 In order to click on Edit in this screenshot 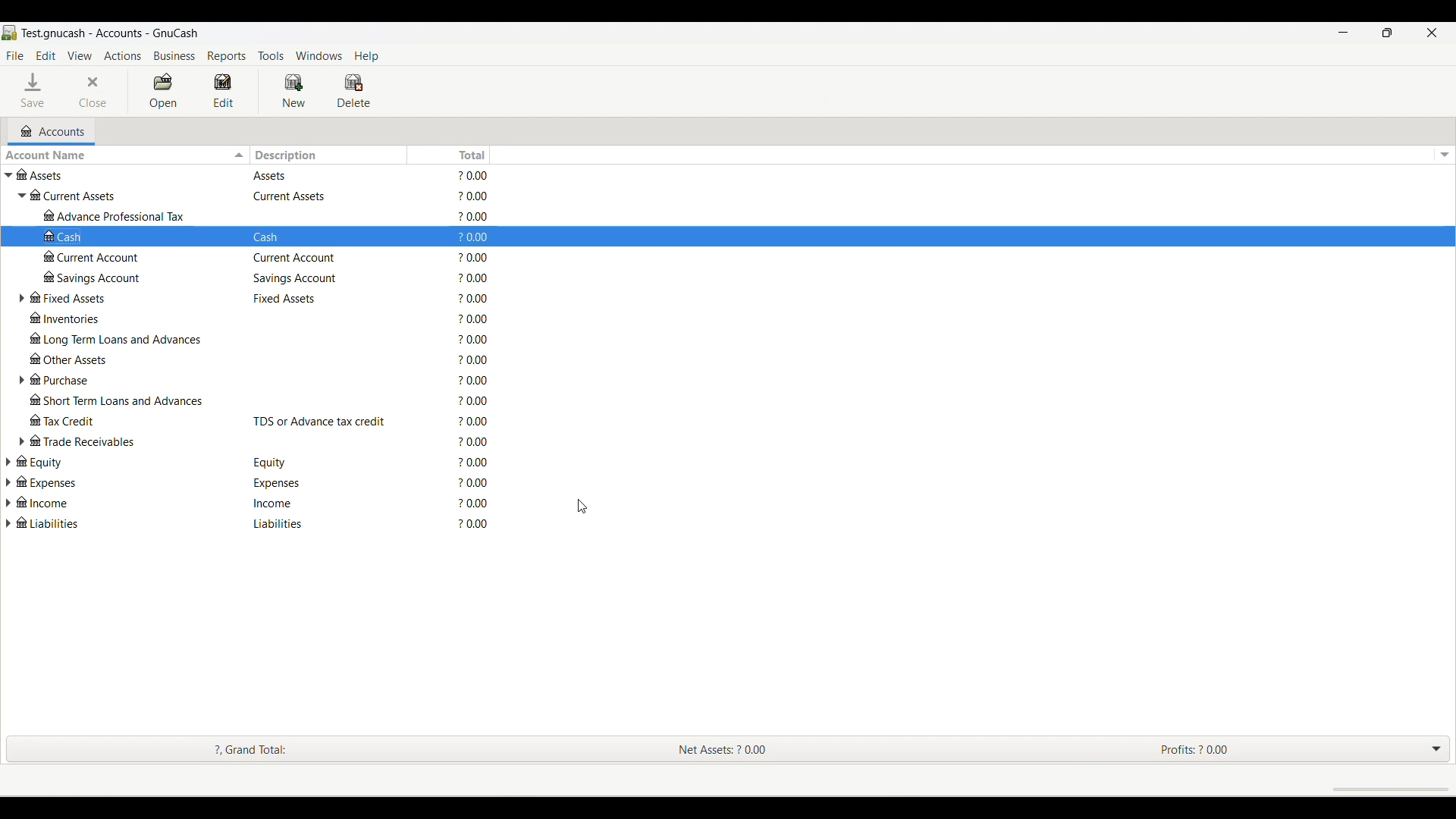, I will do `click(223, 90)`.